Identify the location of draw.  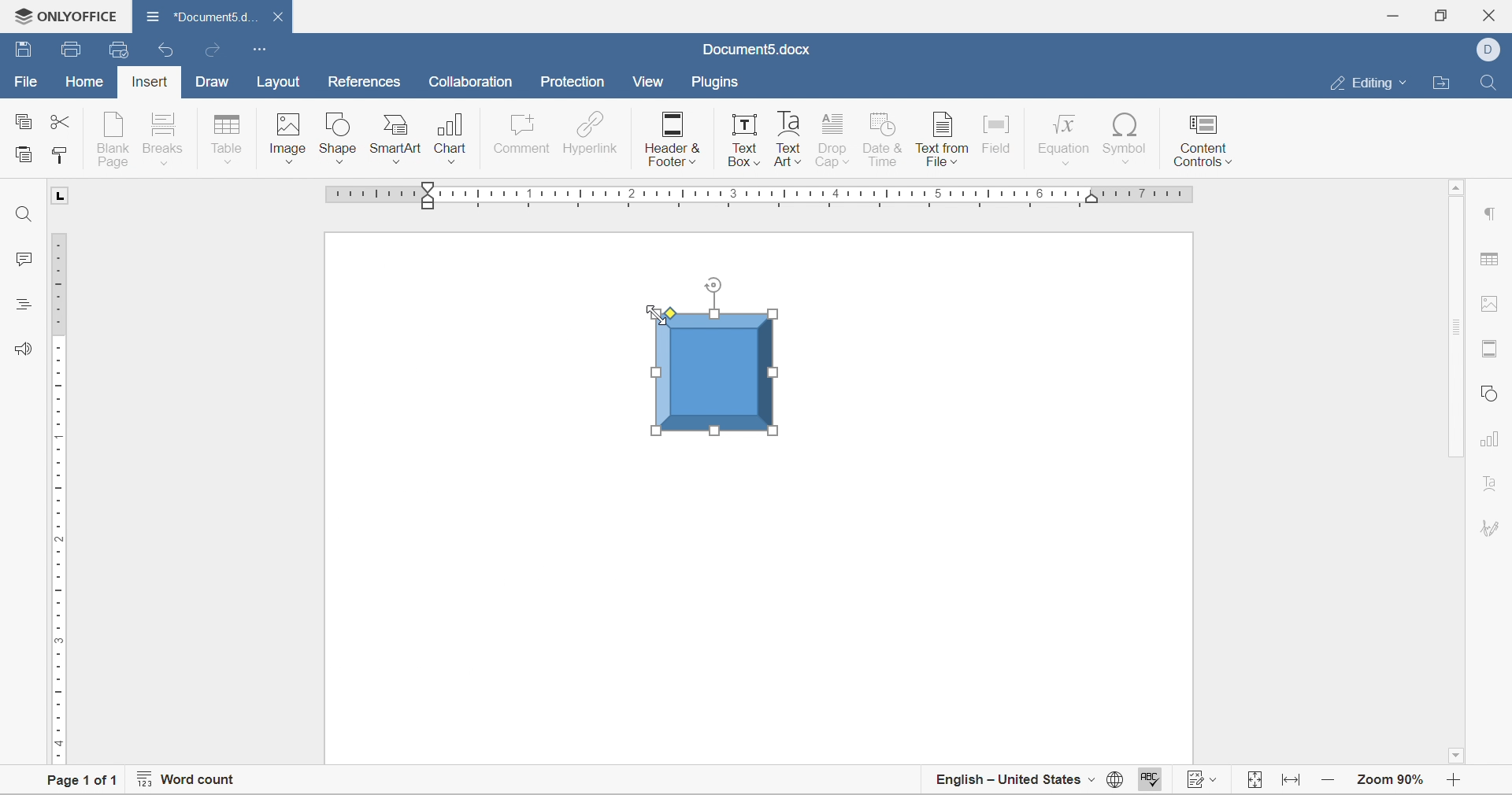
(213, 80).